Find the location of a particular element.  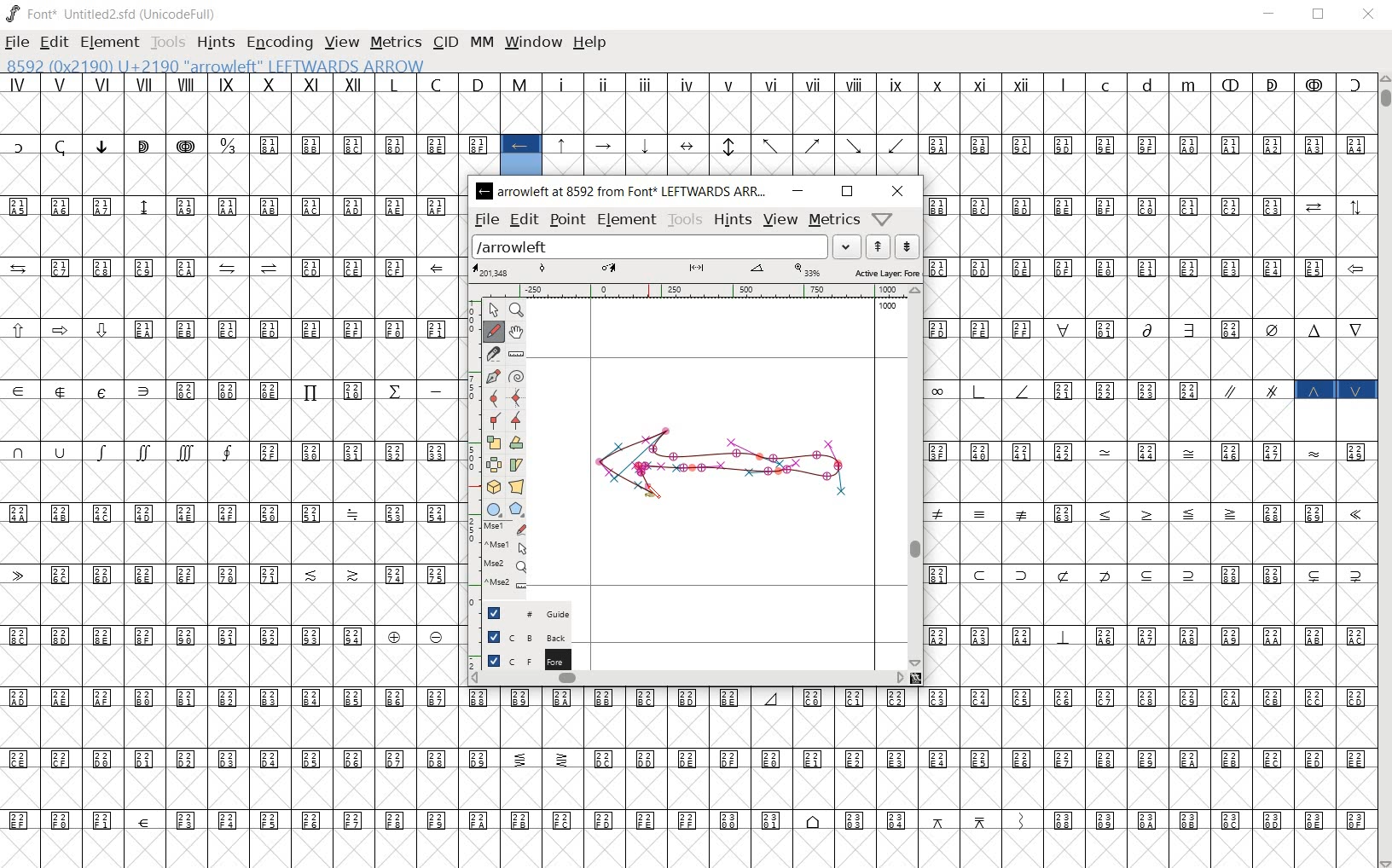

Add a corner point is located at coordinates (492, 421).